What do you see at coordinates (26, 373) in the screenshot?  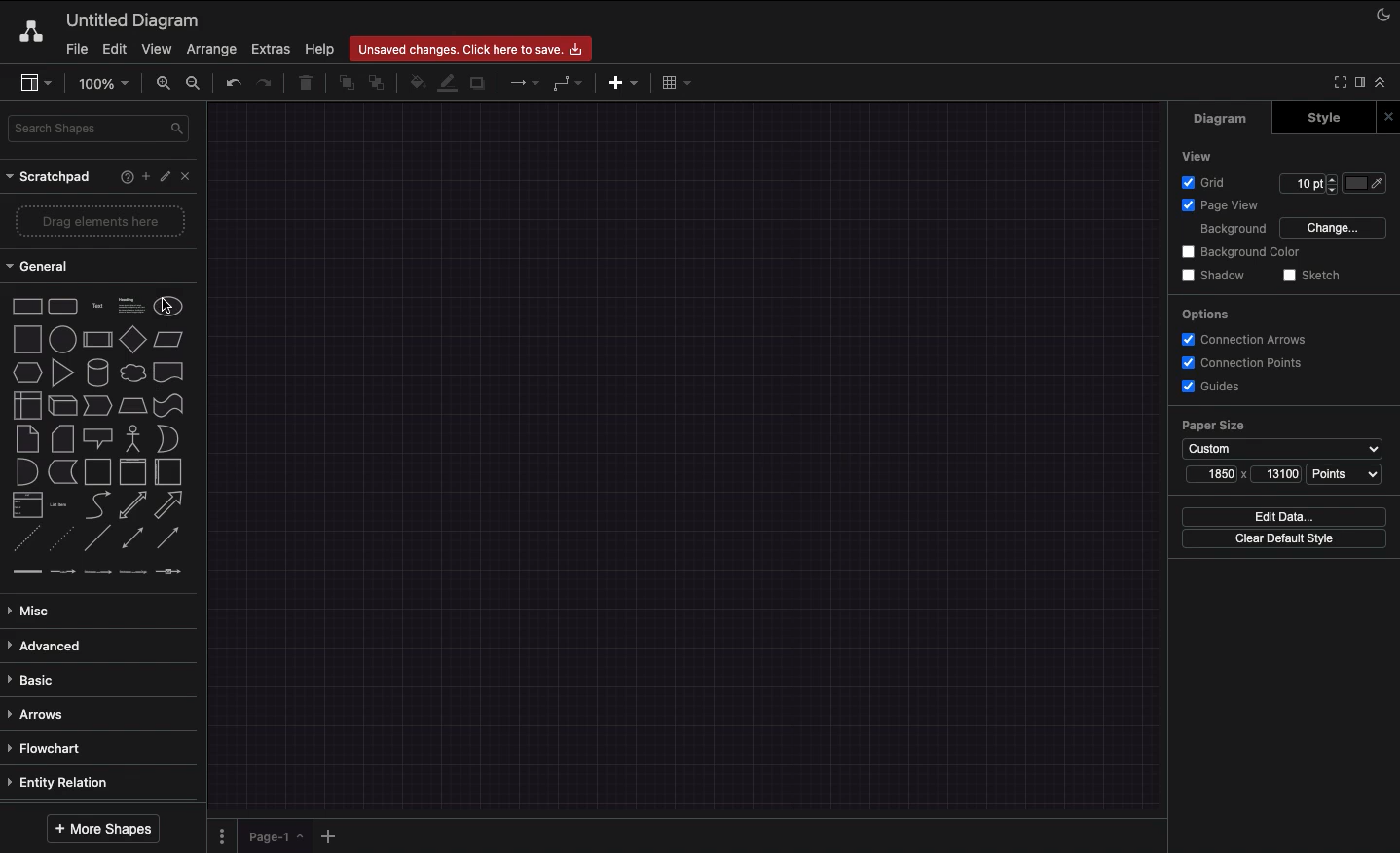 I see `Hexagon` at bounding box center [26, 373].